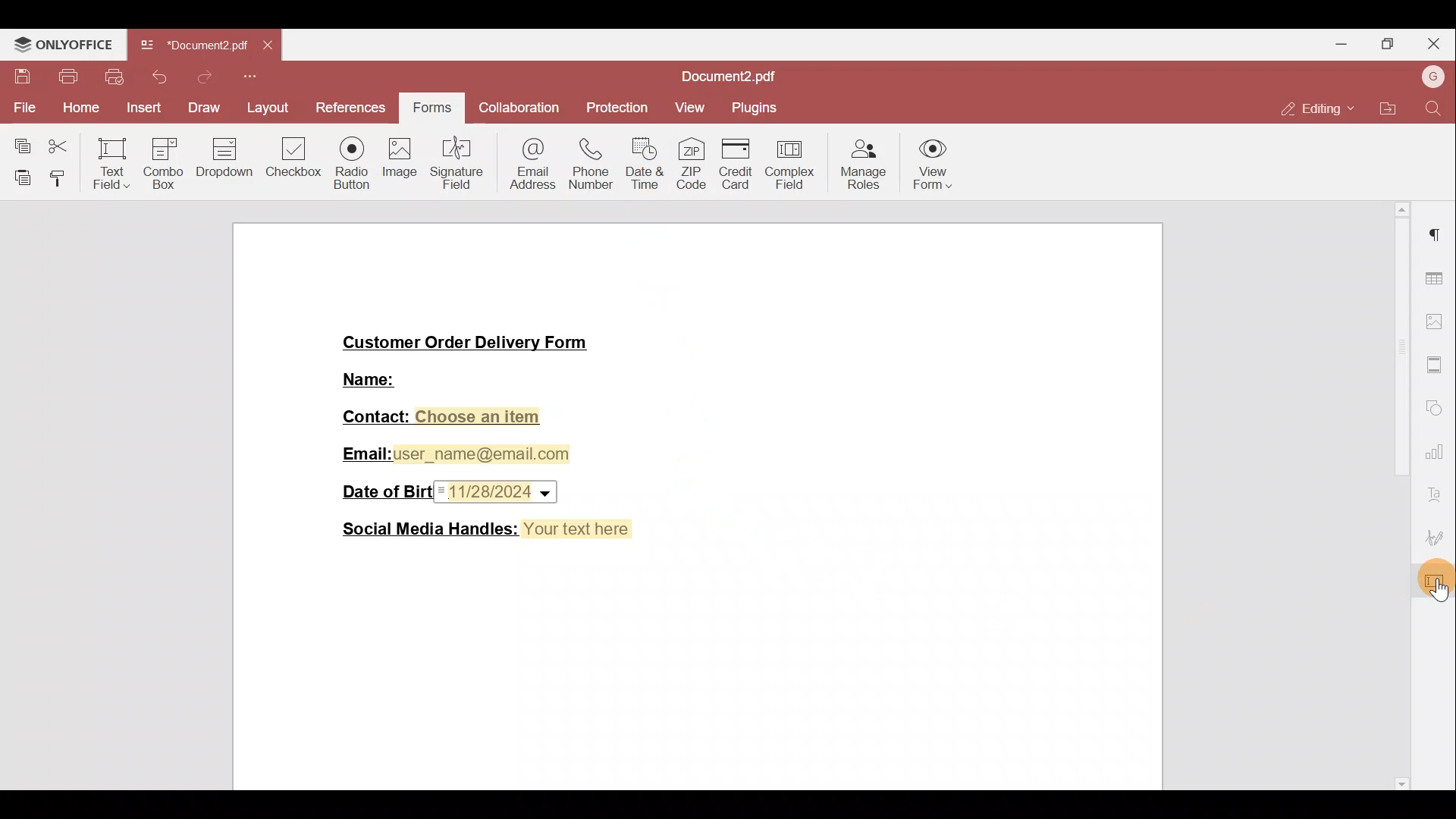 The height and width of the screenshot is (819, 1456). What do you see at coordinates (645, 164) in the screenshot?
I see `Date & time` at bounding box center [645, 164].